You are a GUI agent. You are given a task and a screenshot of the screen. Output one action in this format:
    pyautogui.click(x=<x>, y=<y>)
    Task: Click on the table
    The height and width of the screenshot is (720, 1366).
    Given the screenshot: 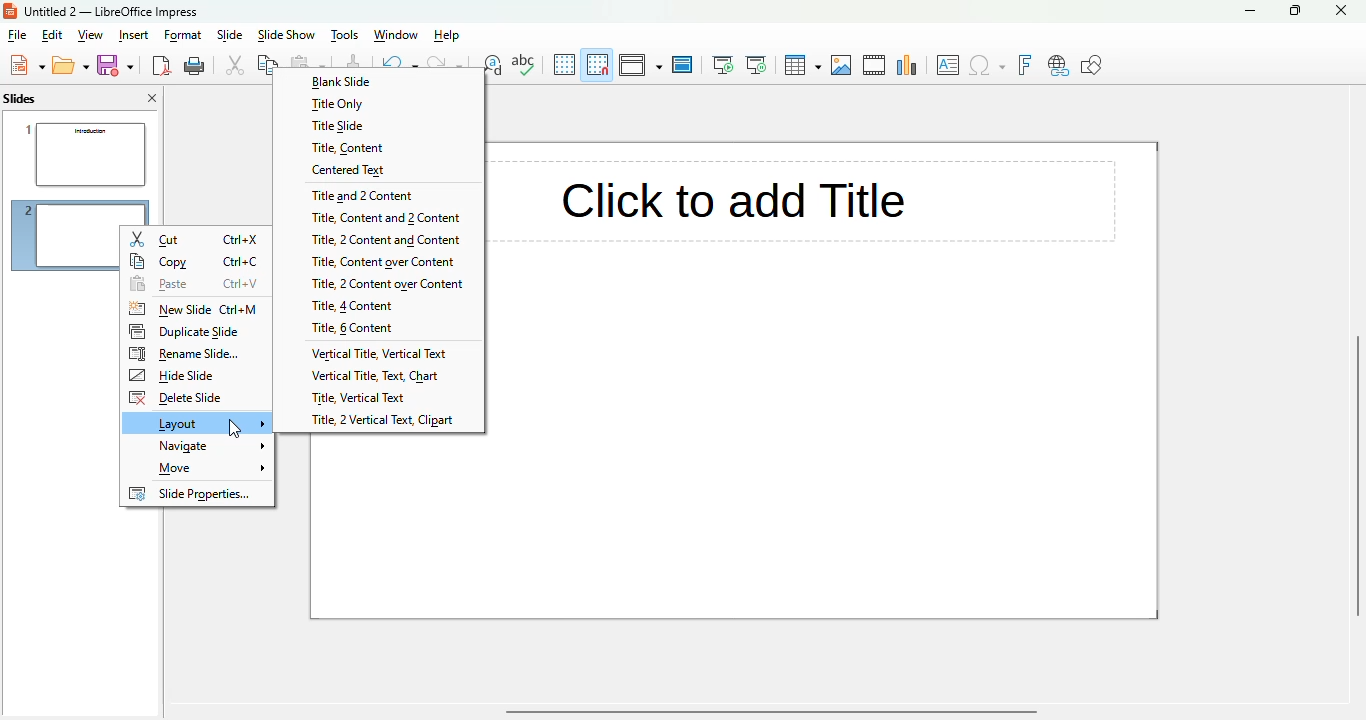 What is the action you would take?
    pyautogui.click(x=802, y=65)
    